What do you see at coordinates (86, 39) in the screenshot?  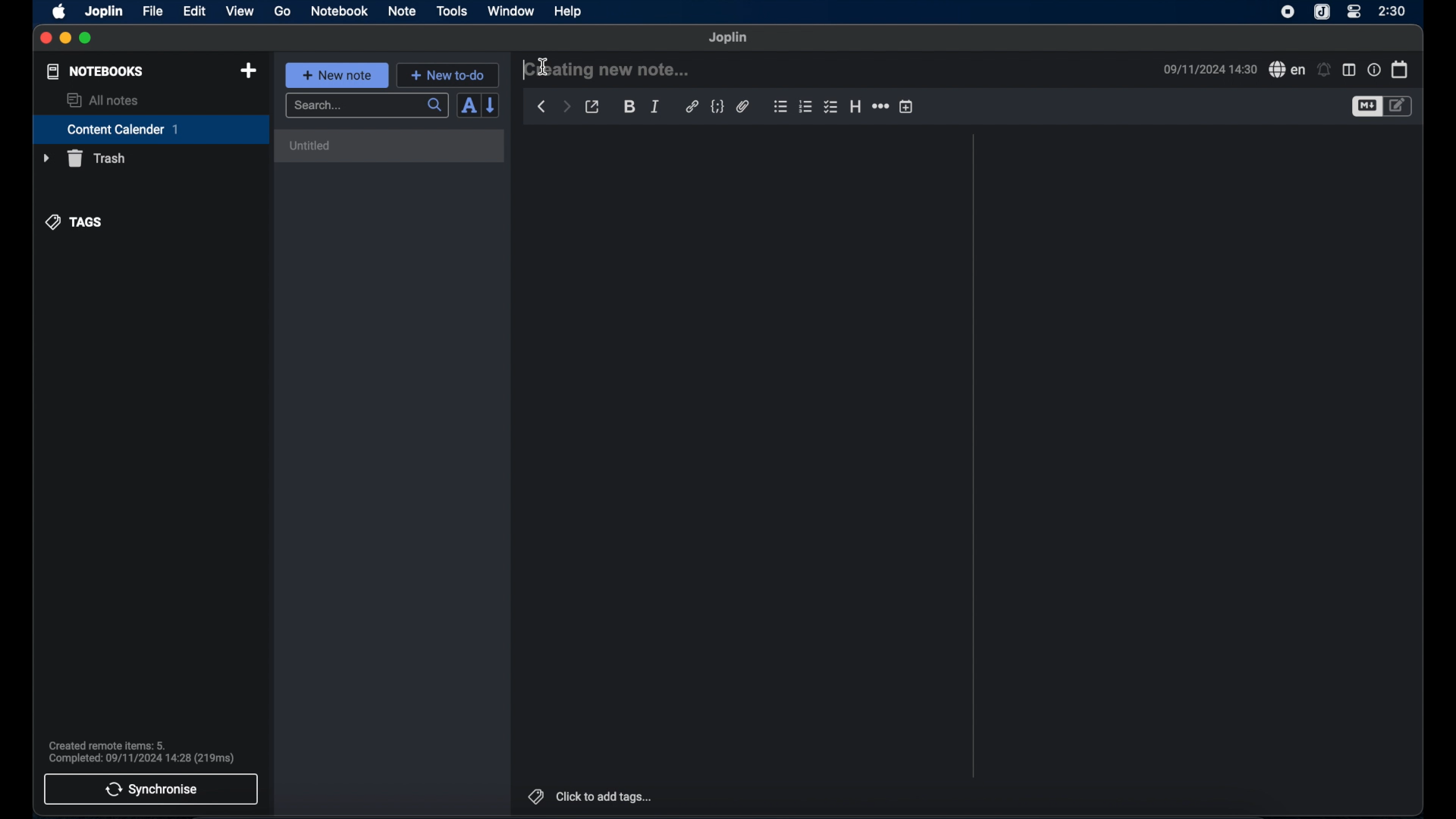 I see `maximize` at bounding box center [86, 39].